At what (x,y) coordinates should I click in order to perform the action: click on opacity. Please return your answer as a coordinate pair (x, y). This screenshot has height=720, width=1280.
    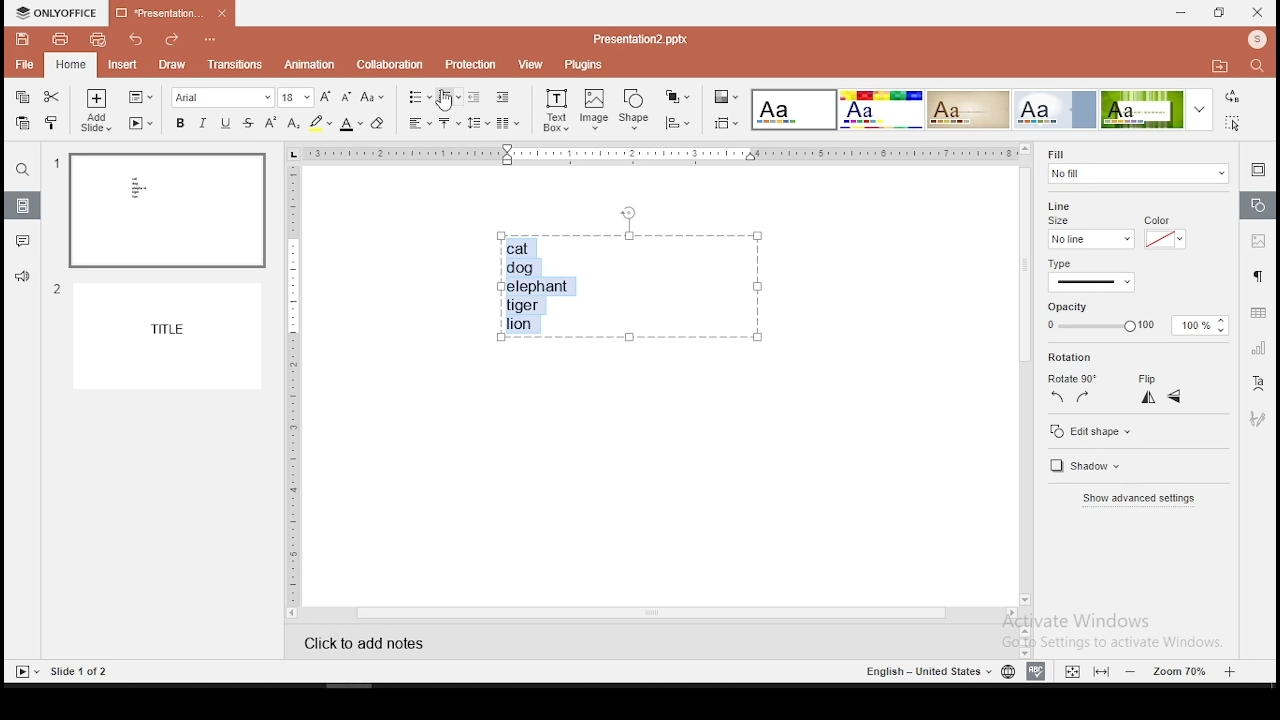
    Looking at the image, I should click on (1137, 318).